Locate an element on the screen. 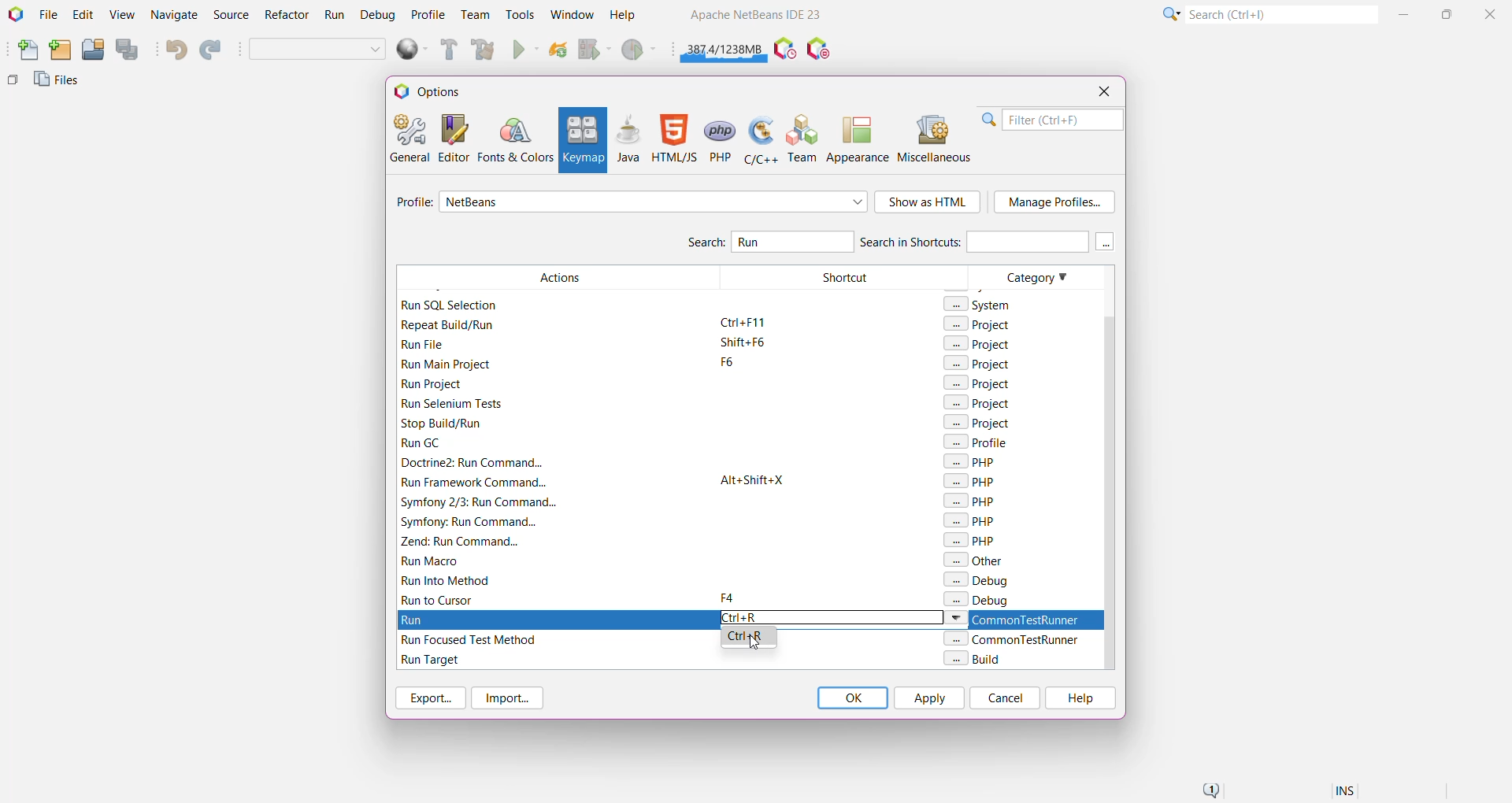 The image size is (1512, 803). Notifications is located at coordinates (1210, 791).